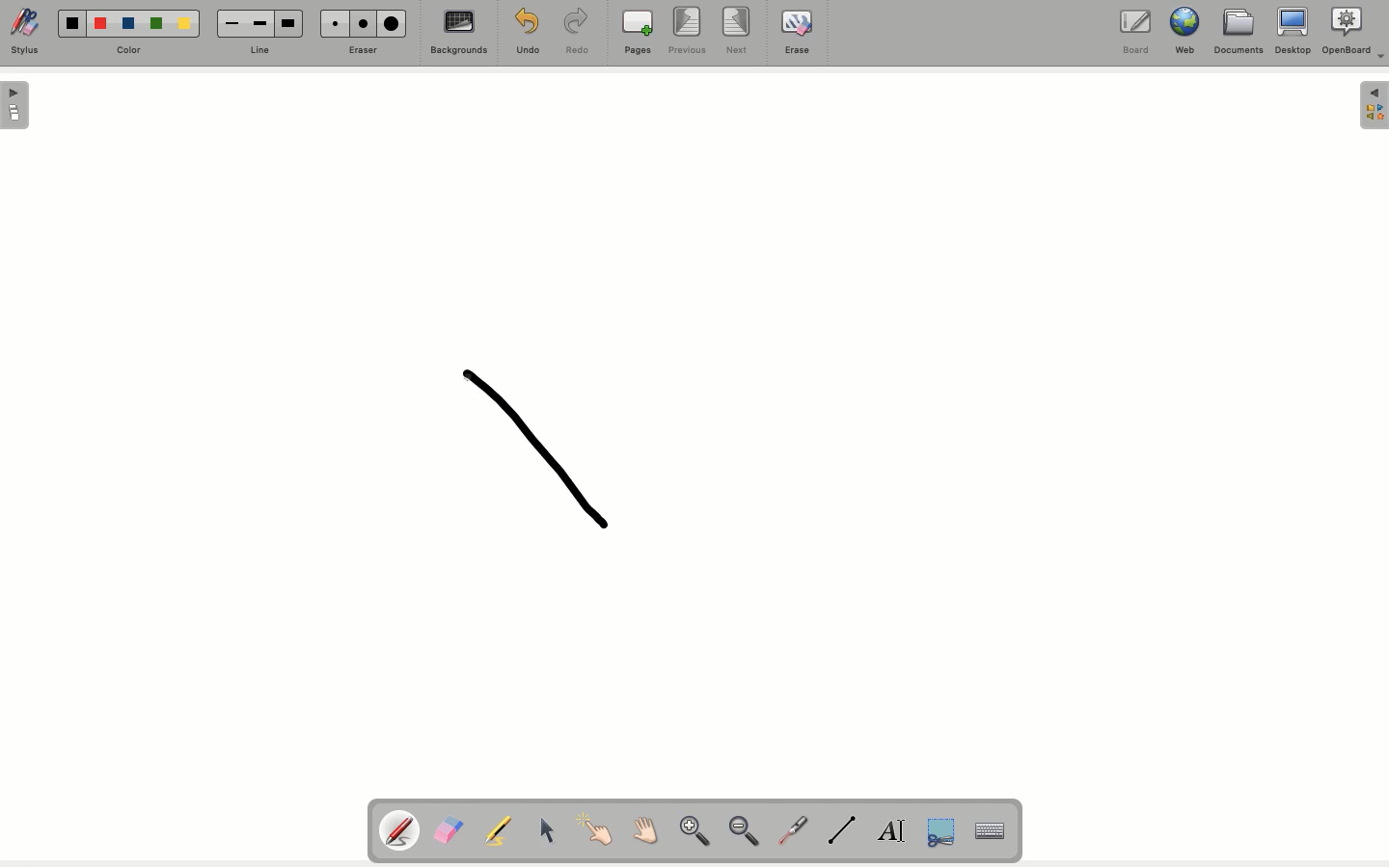 The image size is (1389, 868). I want to click on Pages, so click(640, 33).